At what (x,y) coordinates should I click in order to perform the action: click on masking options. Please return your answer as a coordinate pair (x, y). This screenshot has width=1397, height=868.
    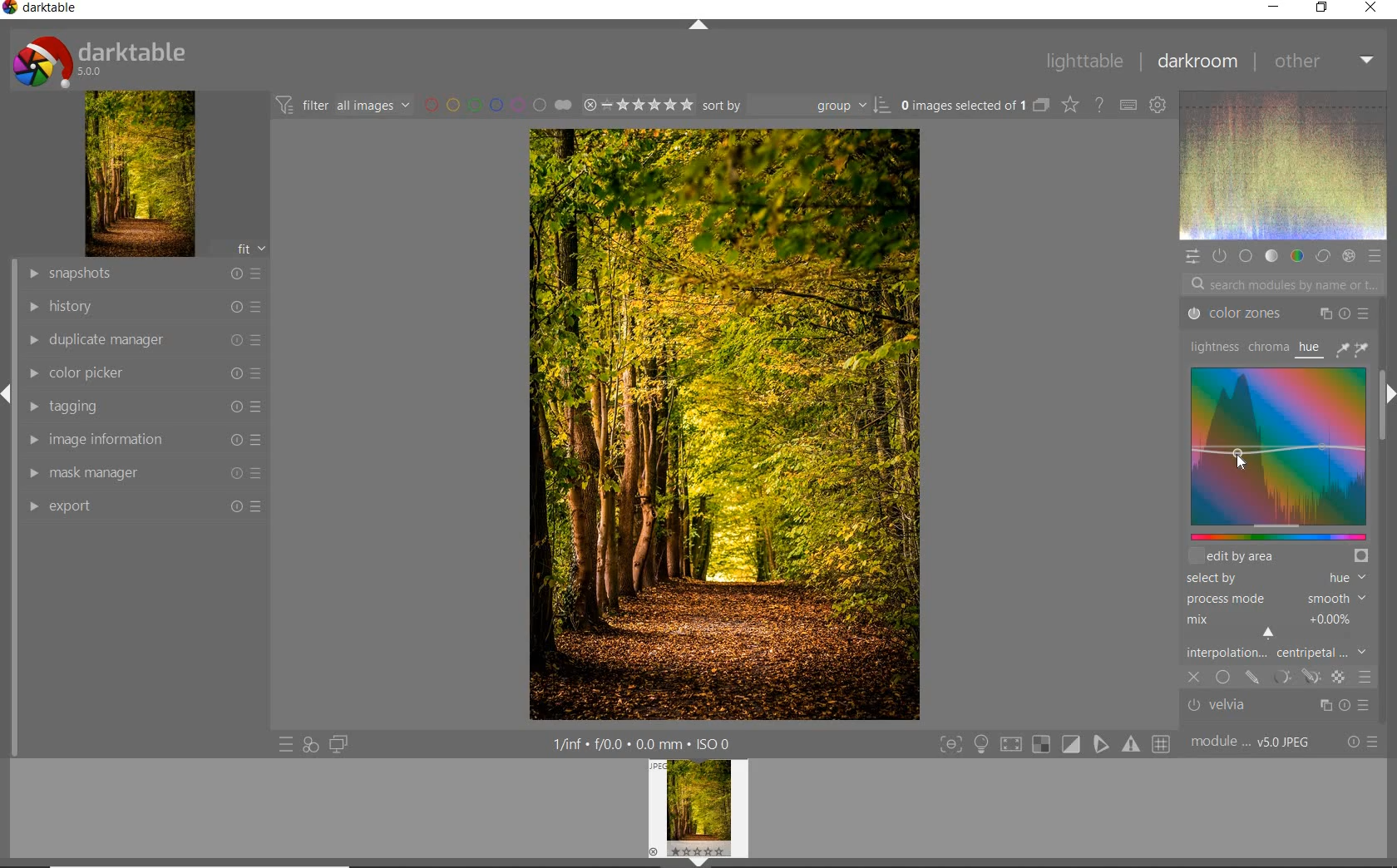
    Looking at the image, I should click on (1293, 678).